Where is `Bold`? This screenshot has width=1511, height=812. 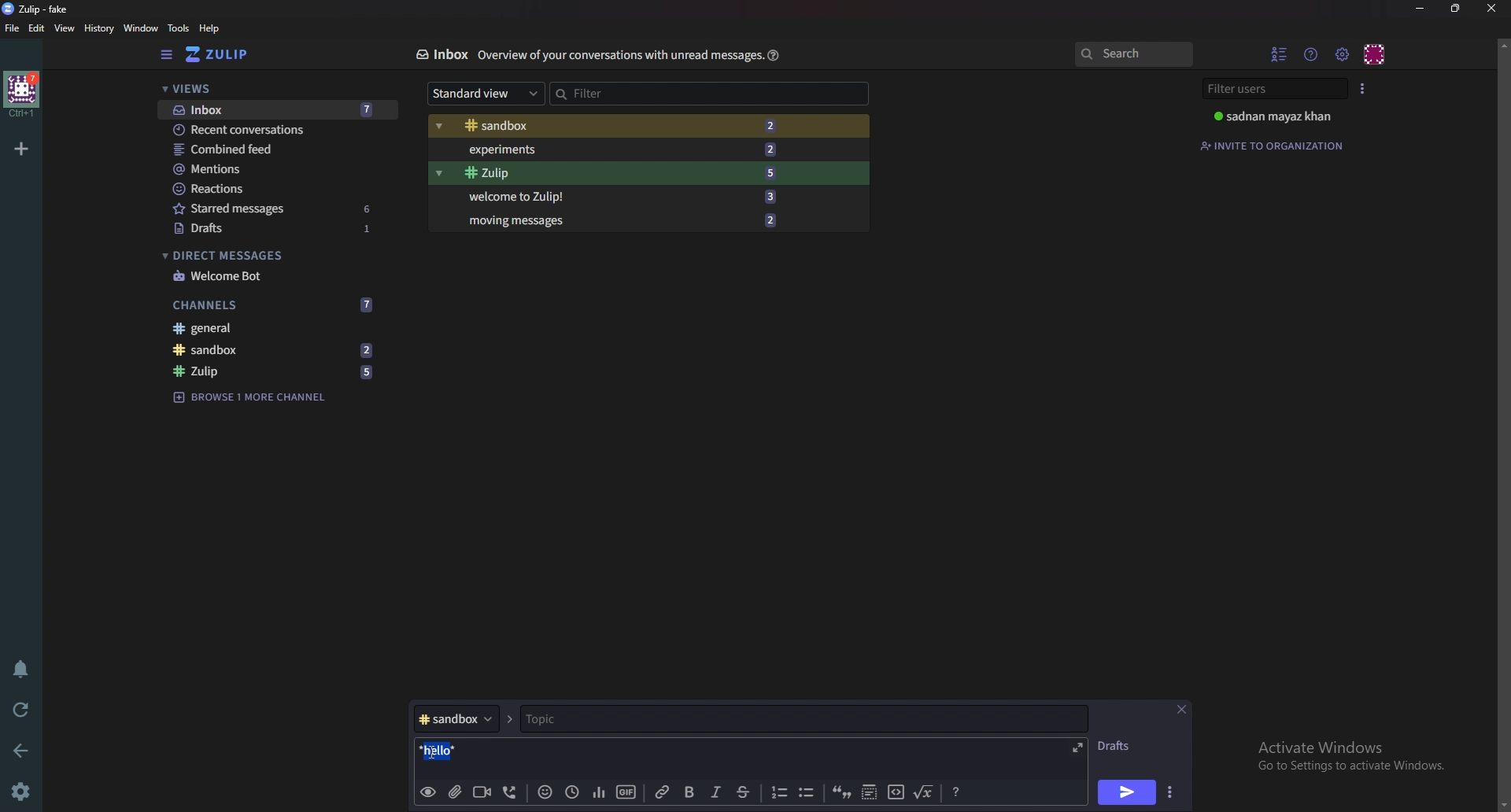
Bold is located at coordinates (689, 792).